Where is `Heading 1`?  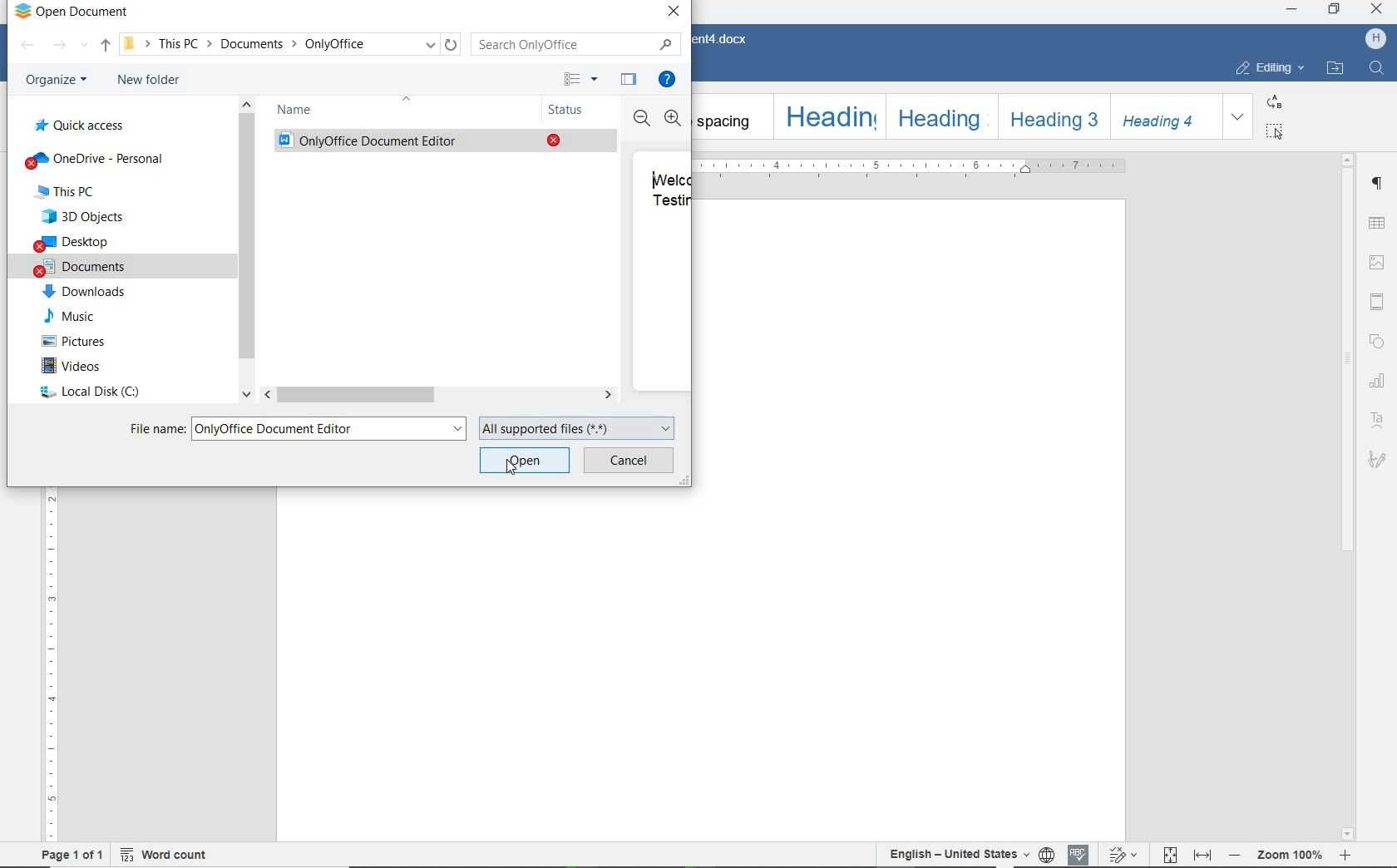
Heading 1 is located at coordinates (829, 116).